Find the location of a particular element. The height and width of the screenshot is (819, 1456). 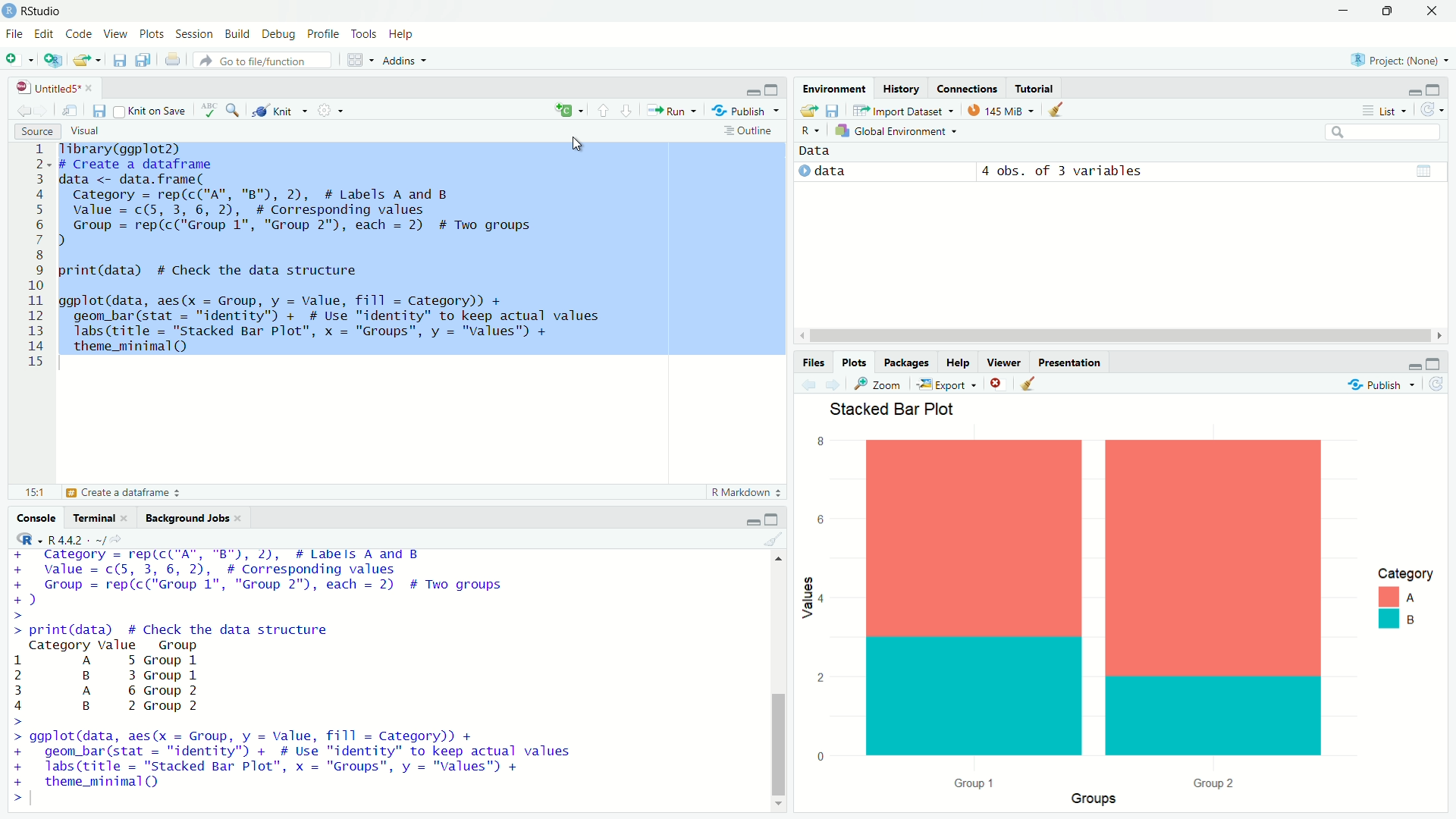

Data is located at coordinates (823, 150).